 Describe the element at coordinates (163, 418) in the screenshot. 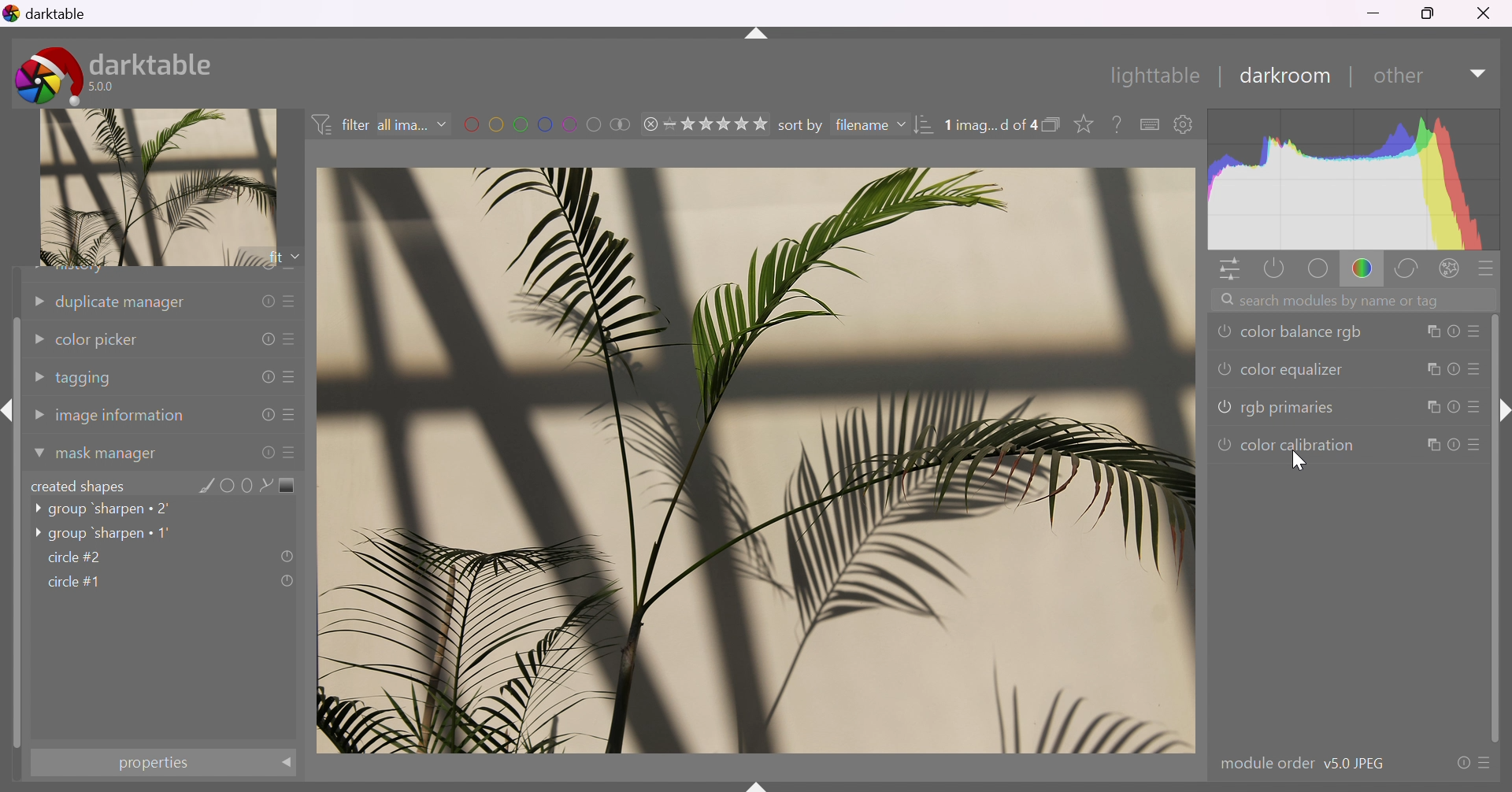

I see `image information` at that location.